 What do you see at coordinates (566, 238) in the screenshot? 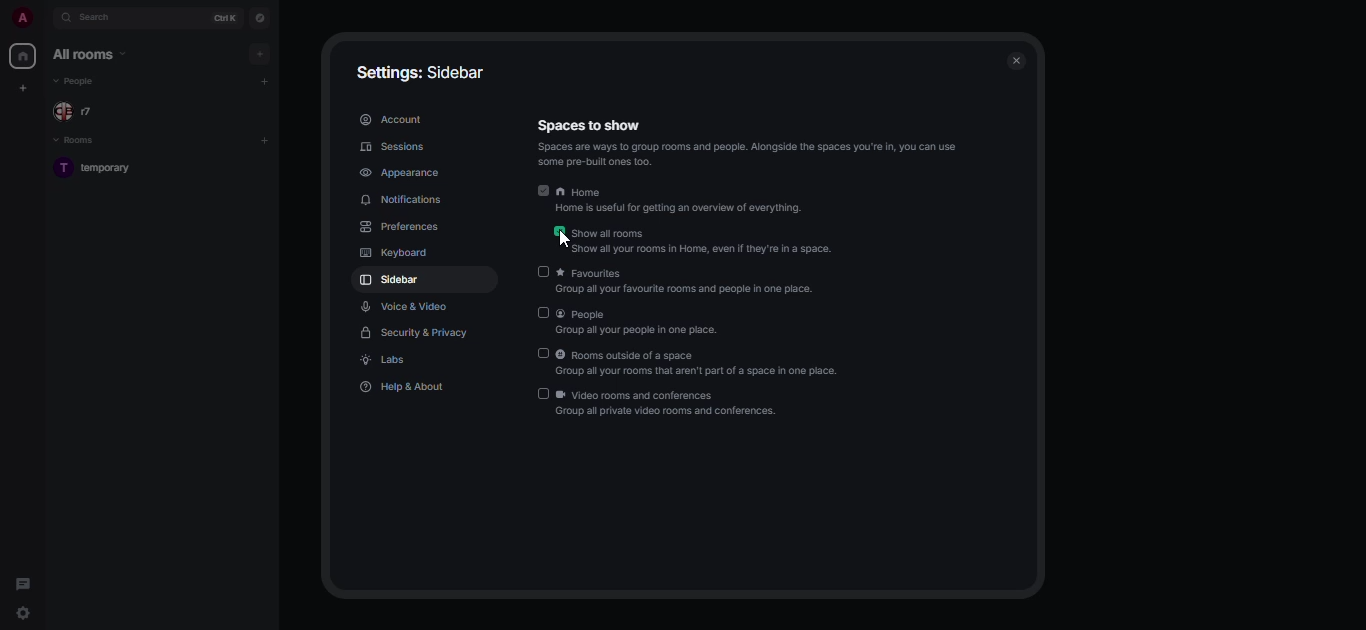
I see `cursor` at bounding box center [566, 238].